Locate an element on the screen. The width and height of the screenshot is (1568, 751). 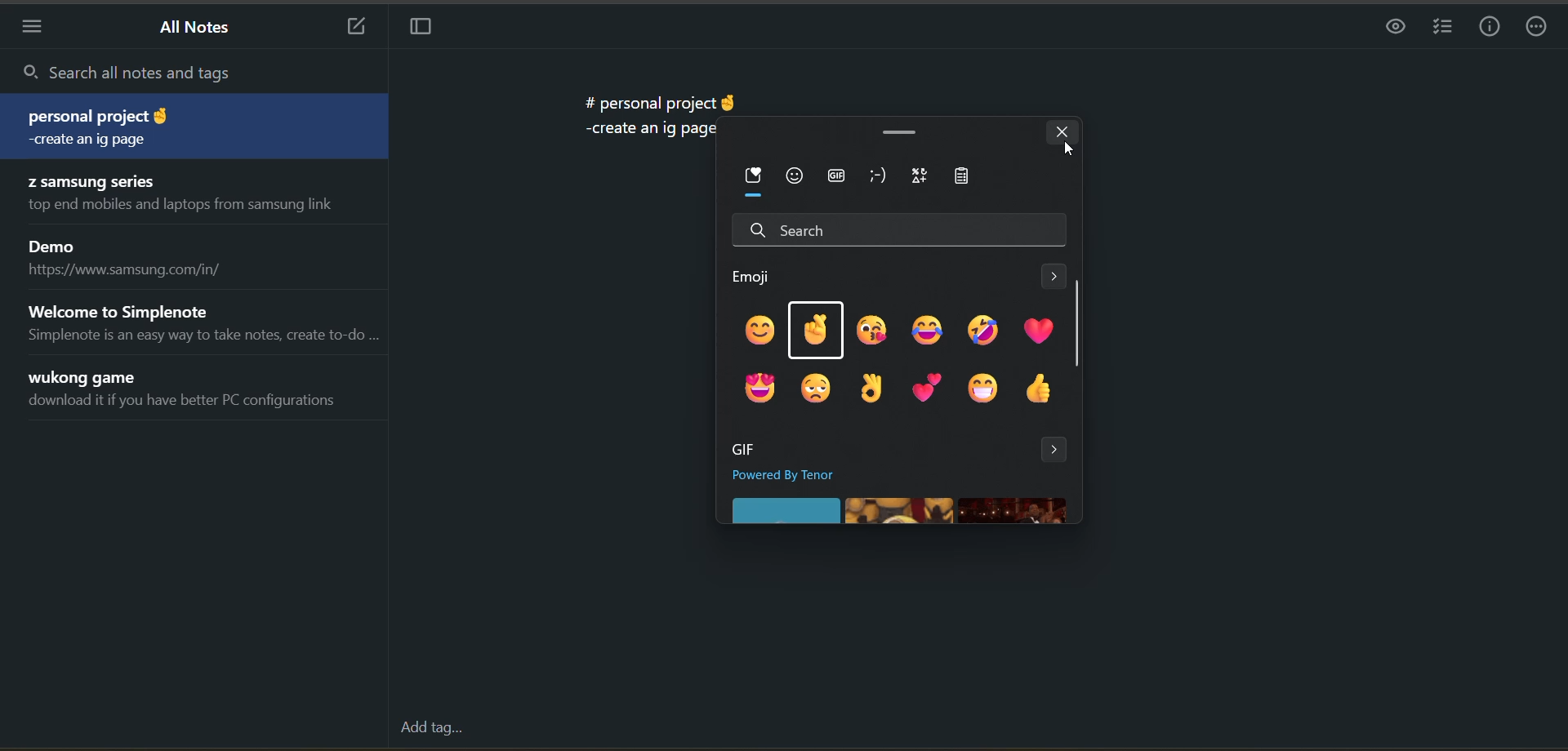
toggle focus mode is located at coordinates (422, 29).